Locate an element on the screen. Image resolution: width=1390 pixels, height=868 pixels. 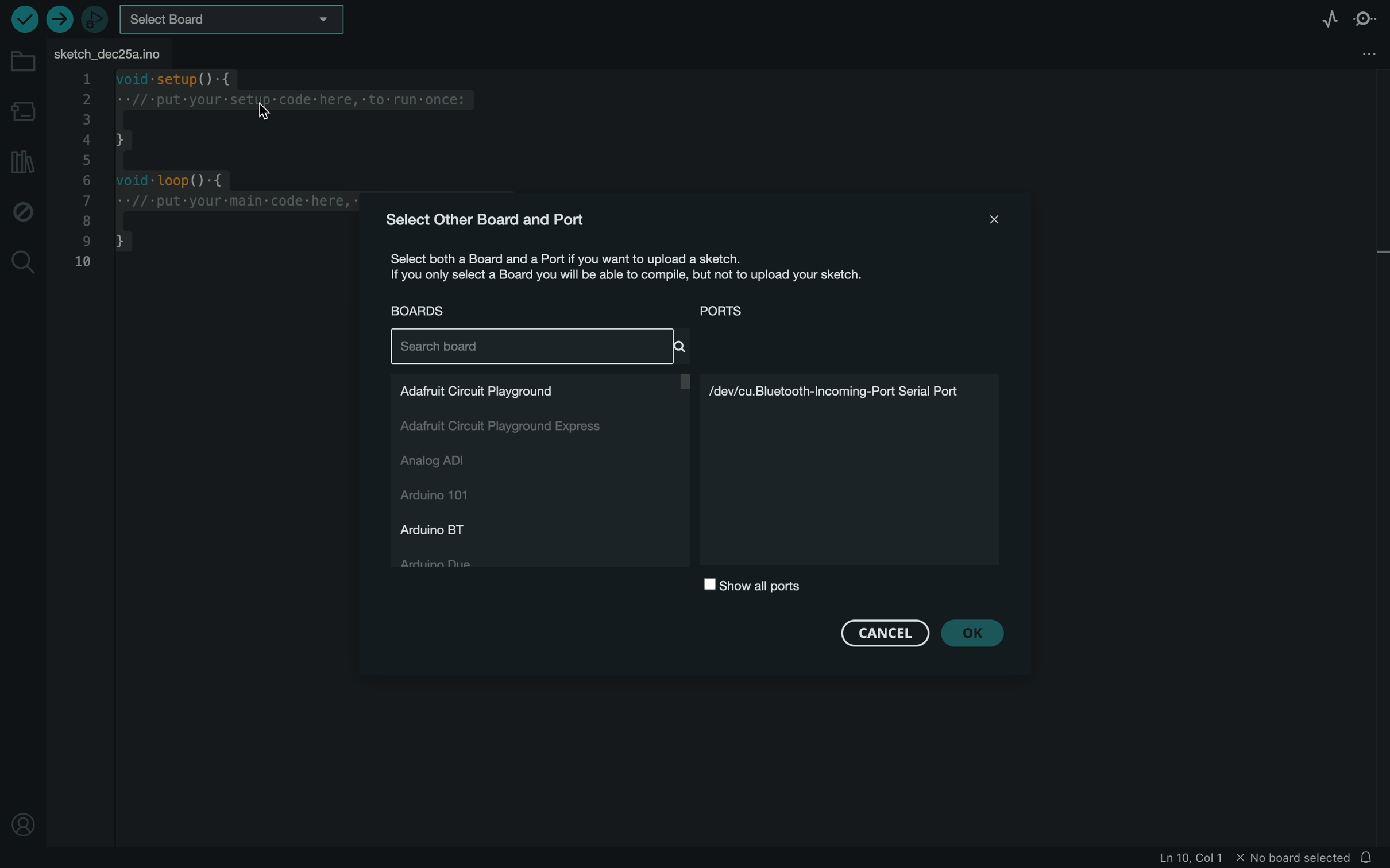
board and port information is located at coordinates (644, 268).